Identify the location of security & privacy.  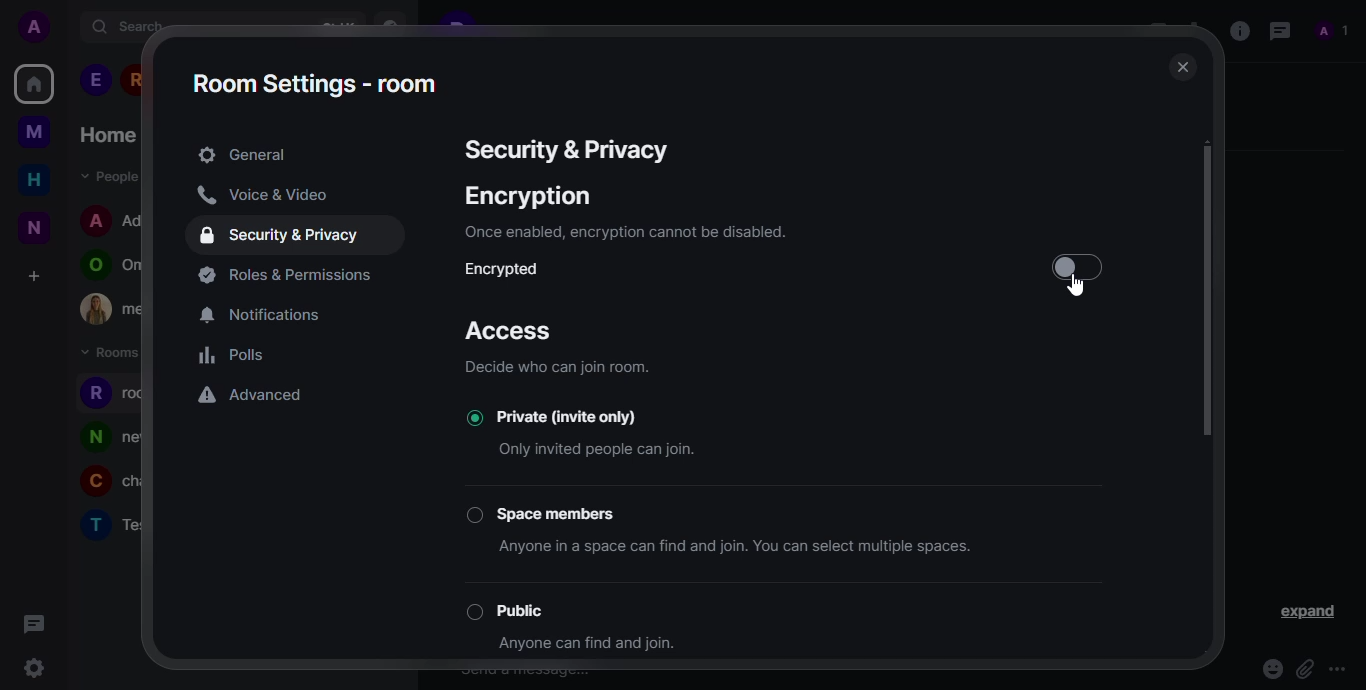
(289, 235).